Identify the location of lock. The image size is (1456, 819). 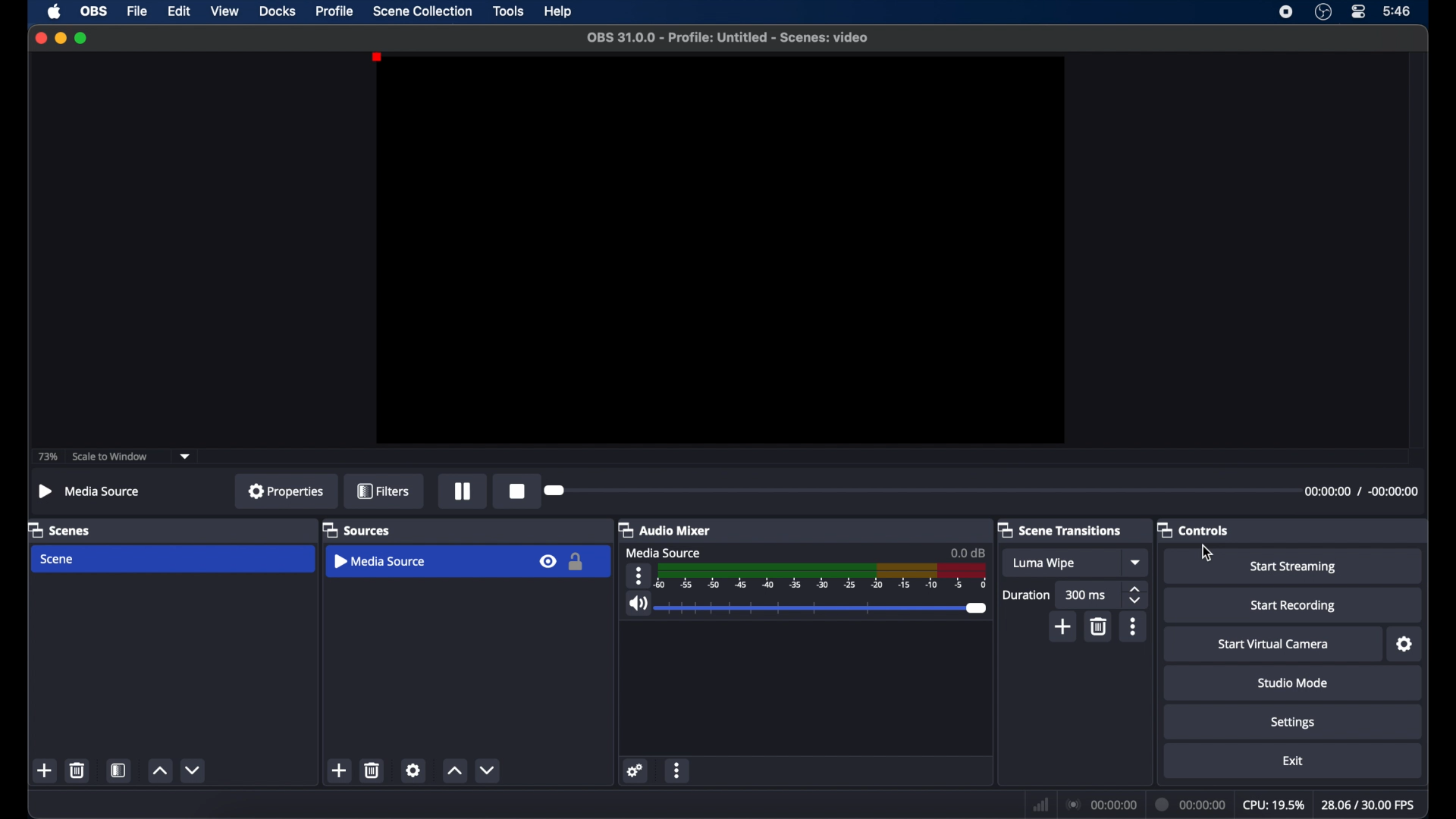
(574, 562).